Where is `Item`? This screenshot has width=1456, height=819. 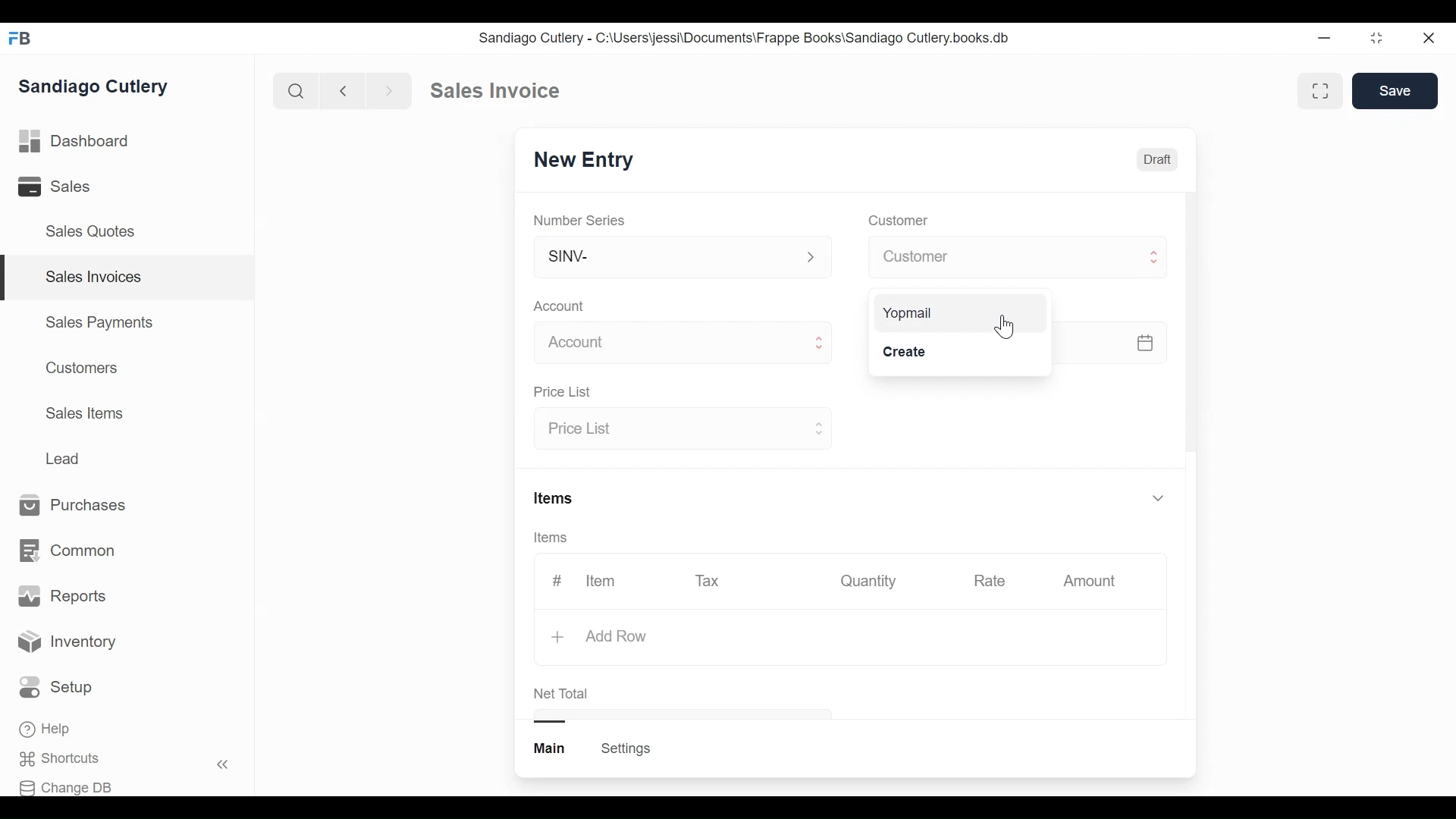 Item is located at coordinates (602, 581).